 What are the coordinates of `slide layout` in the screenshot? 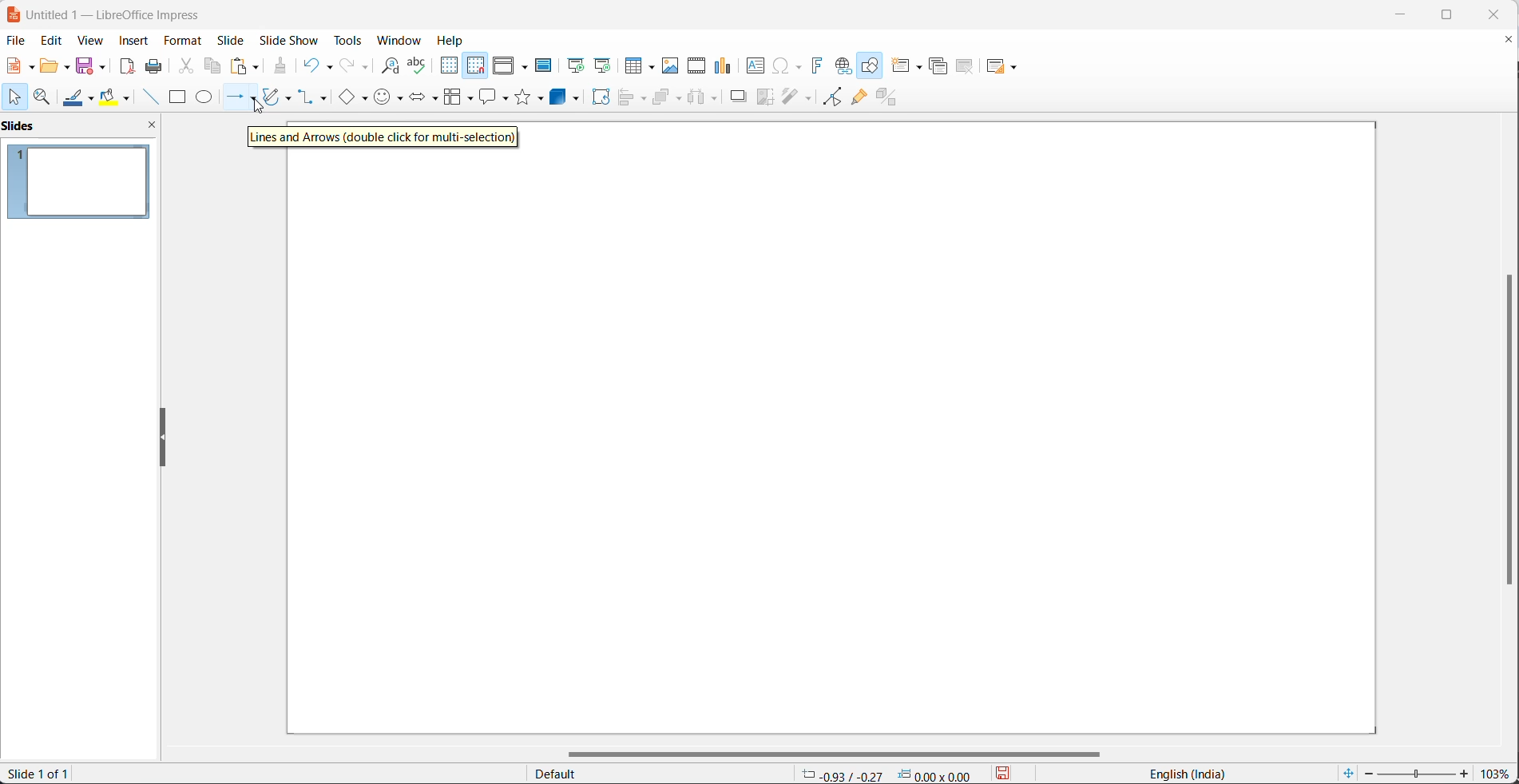 It's located at (1003, 66).